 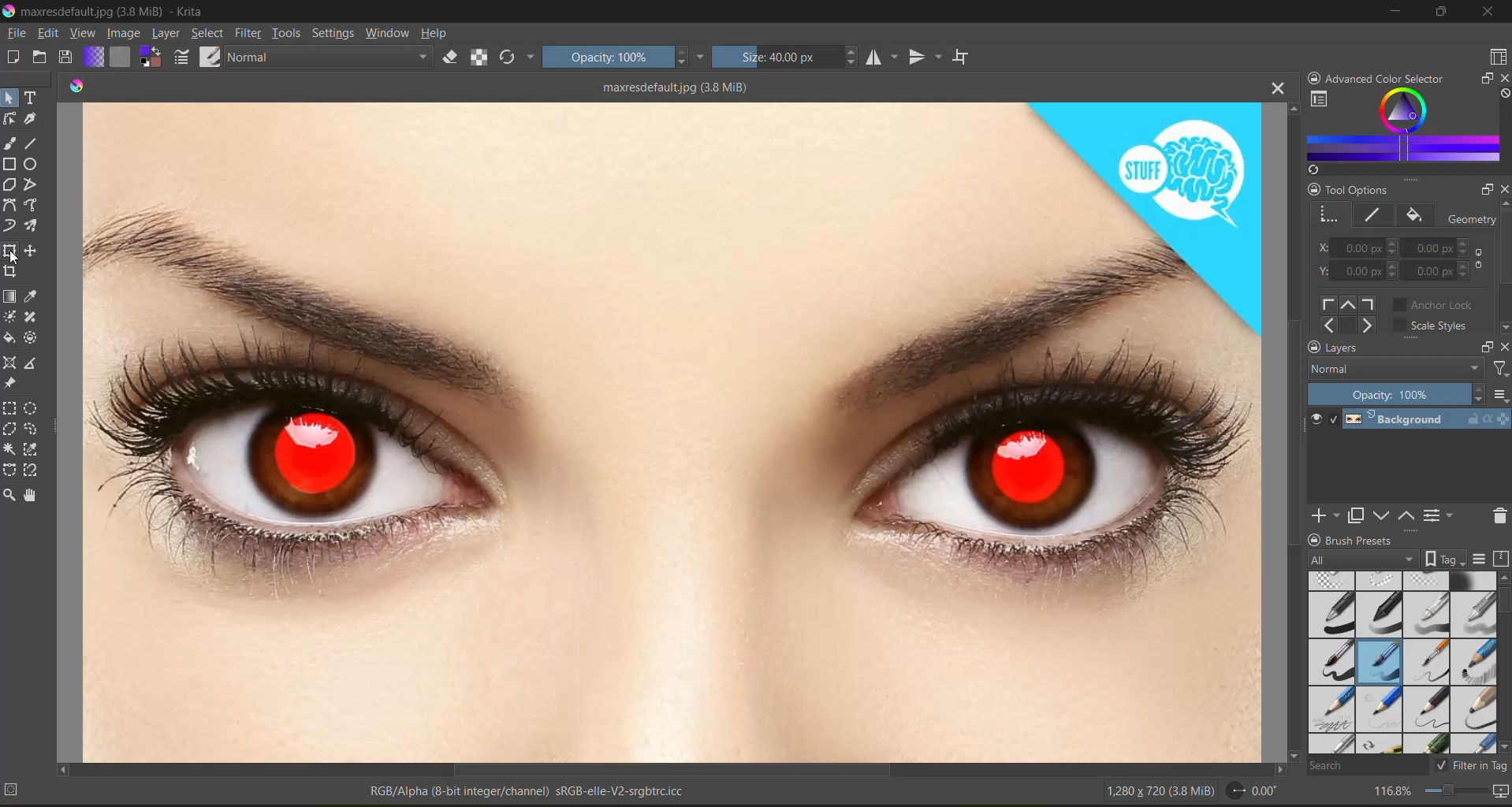 I want to click on vertical scroll bar, so click(x=1291, y=431).